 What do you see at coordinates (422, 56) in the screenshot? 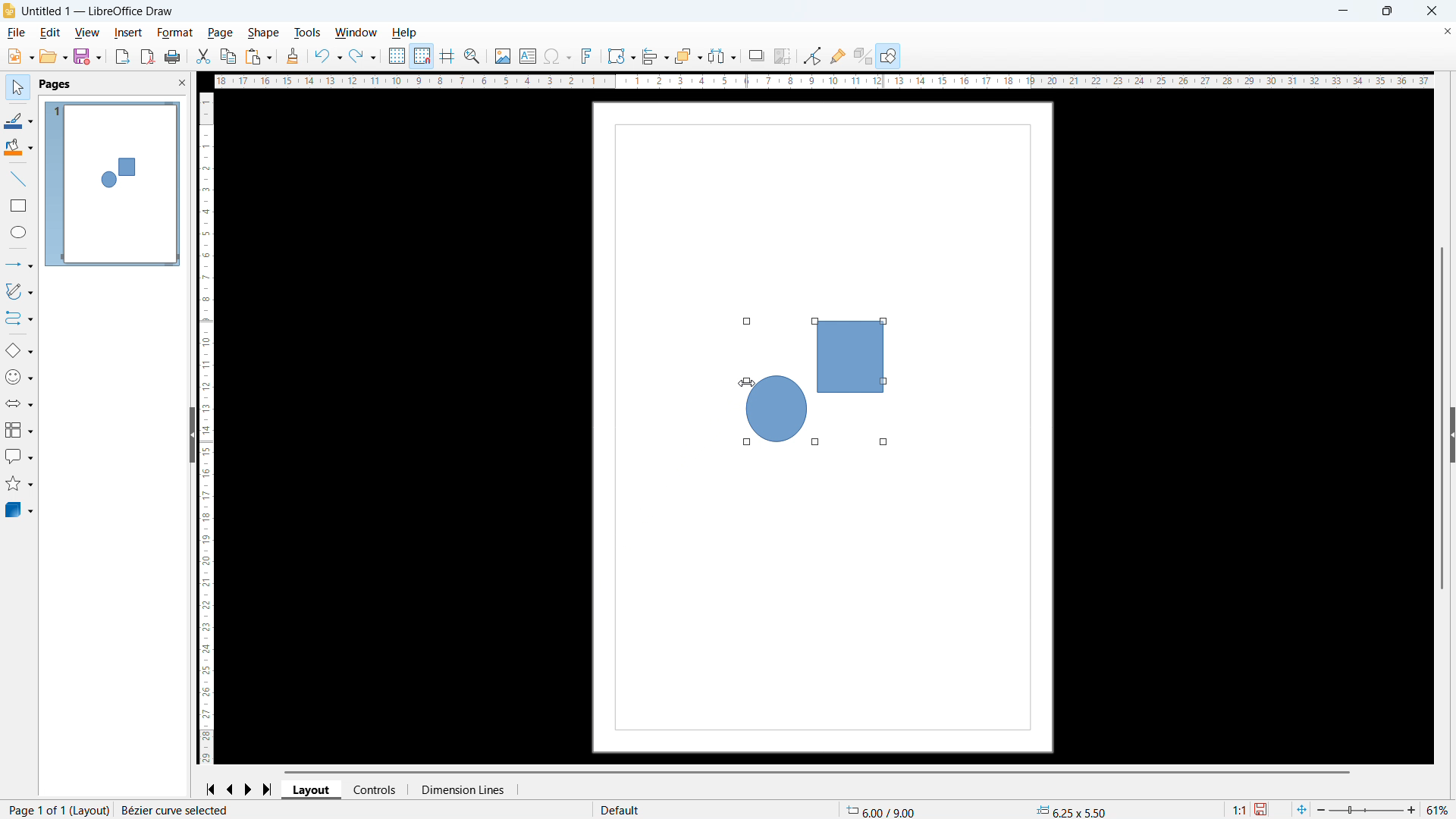
I see `Snap to grid ` at bounding box center [422, 56].